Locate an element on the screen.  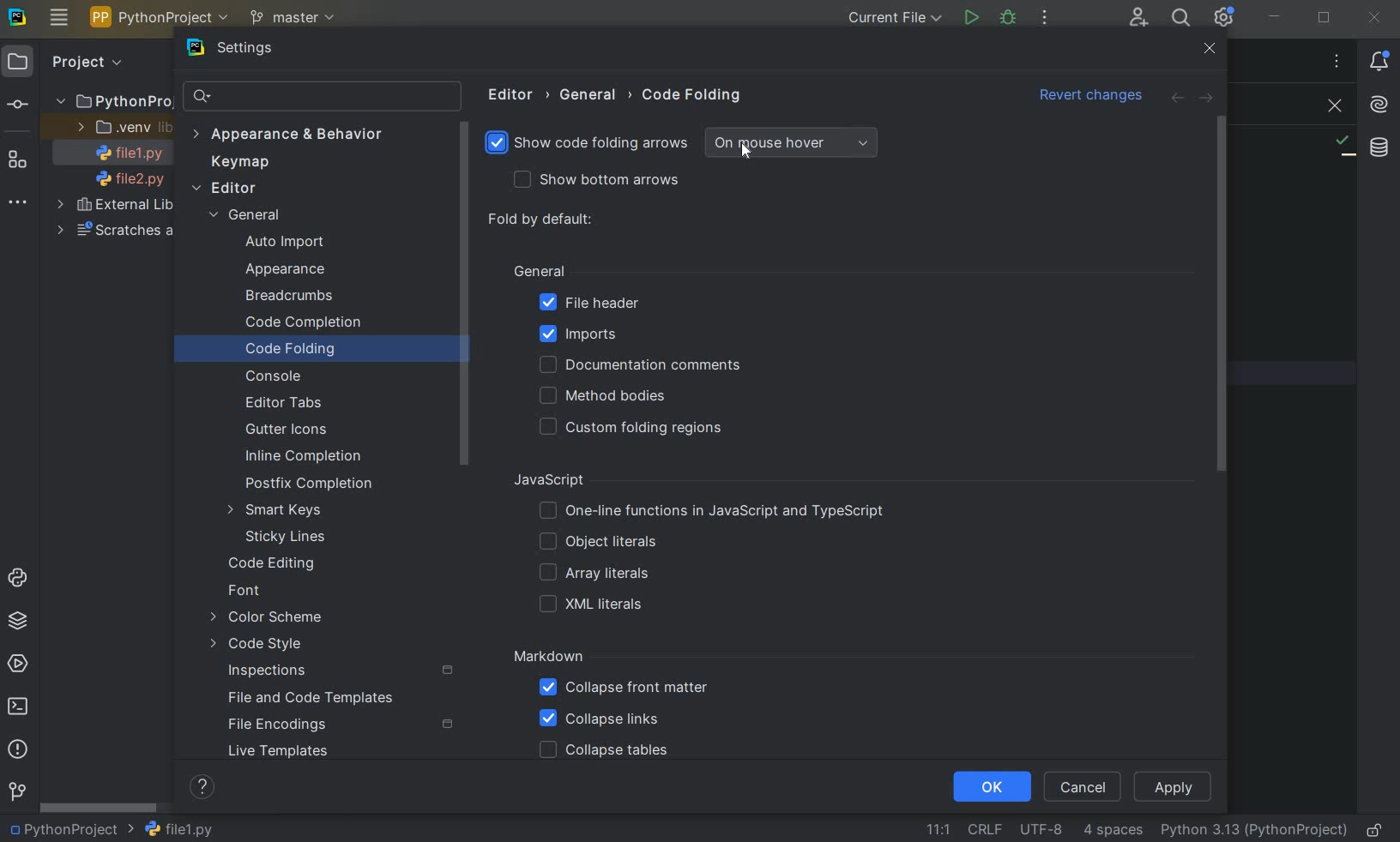
PYTHON PACKAGES is located at coordinates (22, 622).